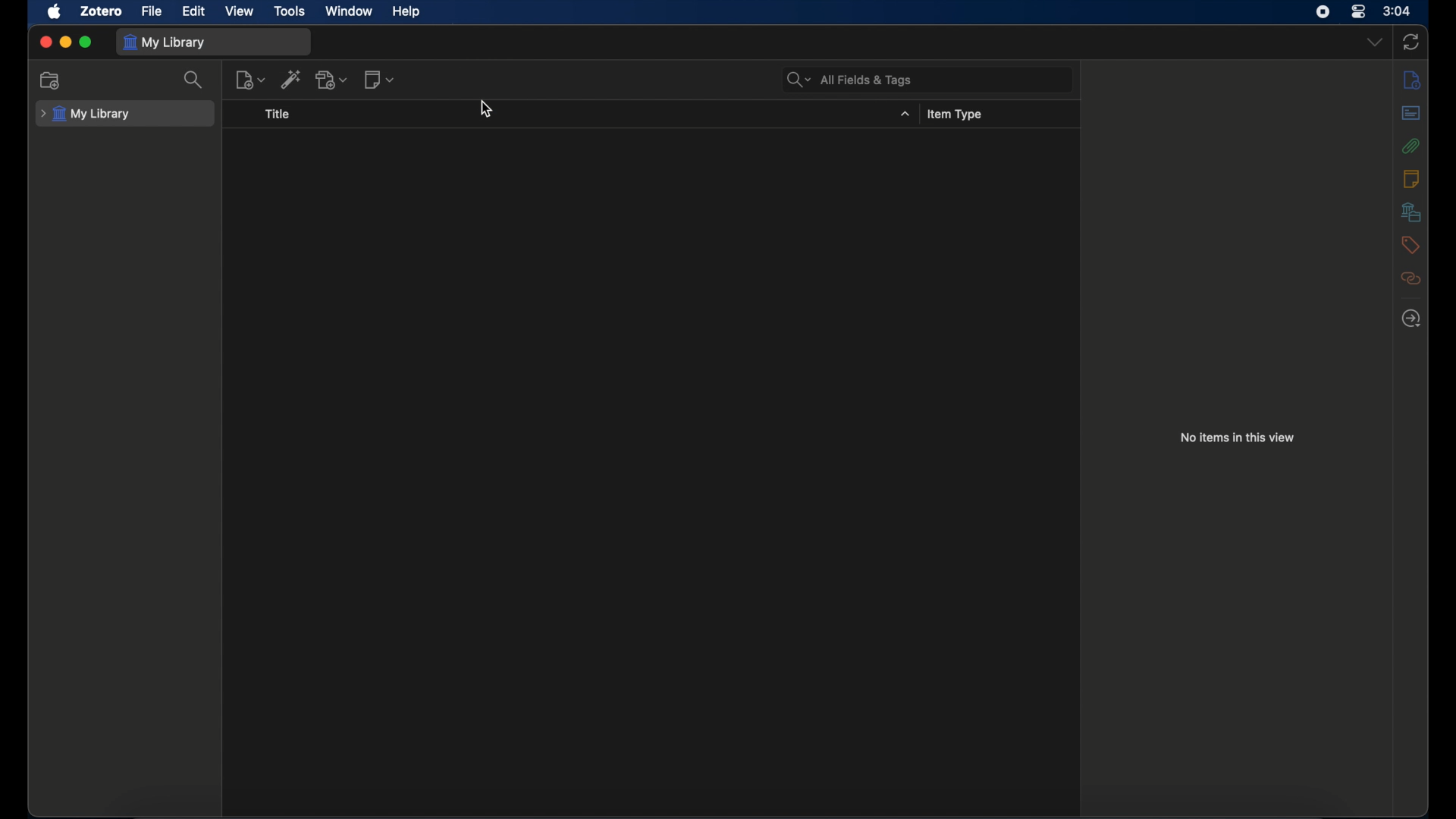 The width and height of the screenshot is (1456, 819). I want to click on minimize, so click(67, 42).